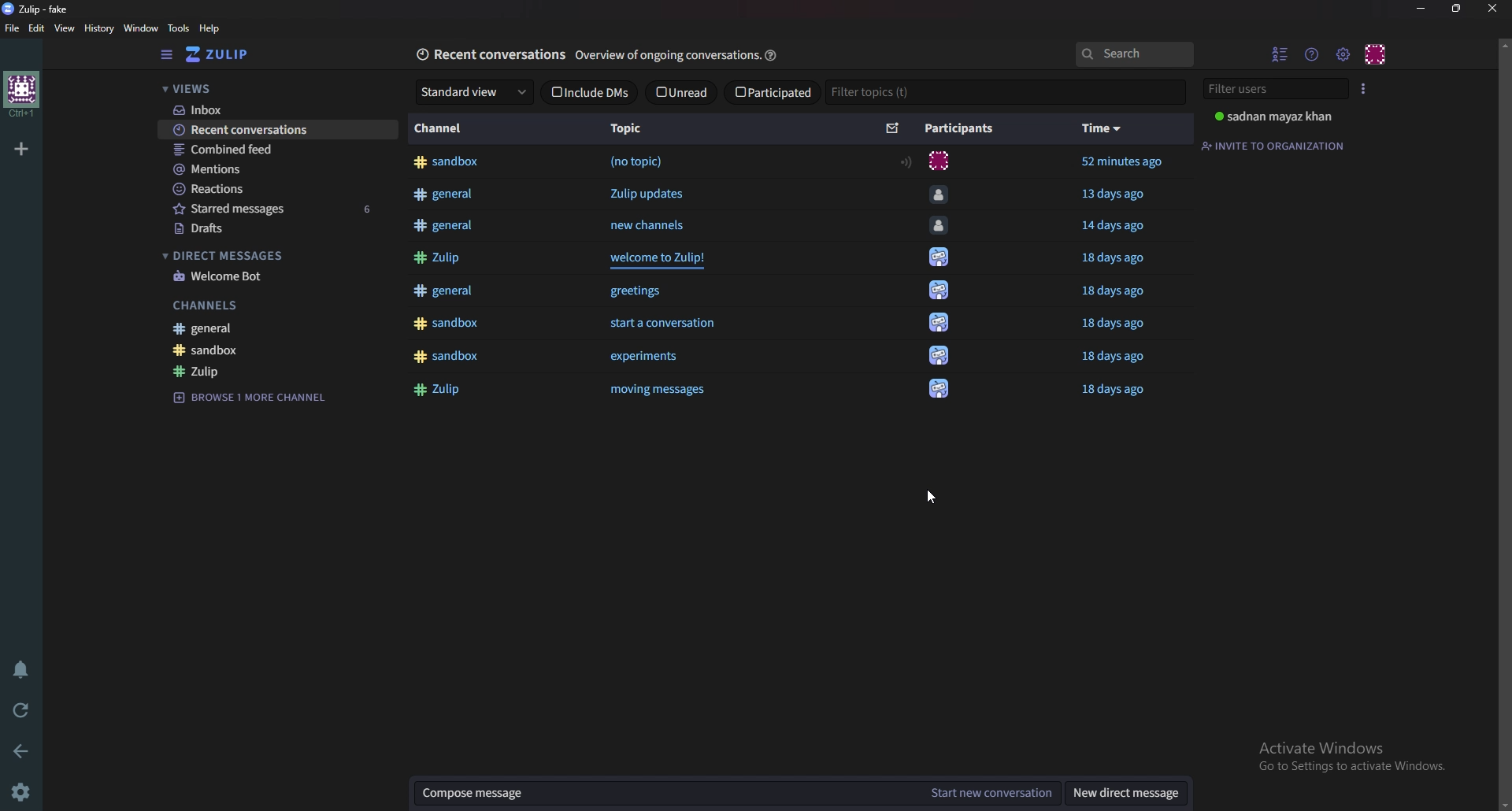 Image resolution: width=1512 pixels, height=811 pixels. I want to click on Help menu, so click(1311, 55).